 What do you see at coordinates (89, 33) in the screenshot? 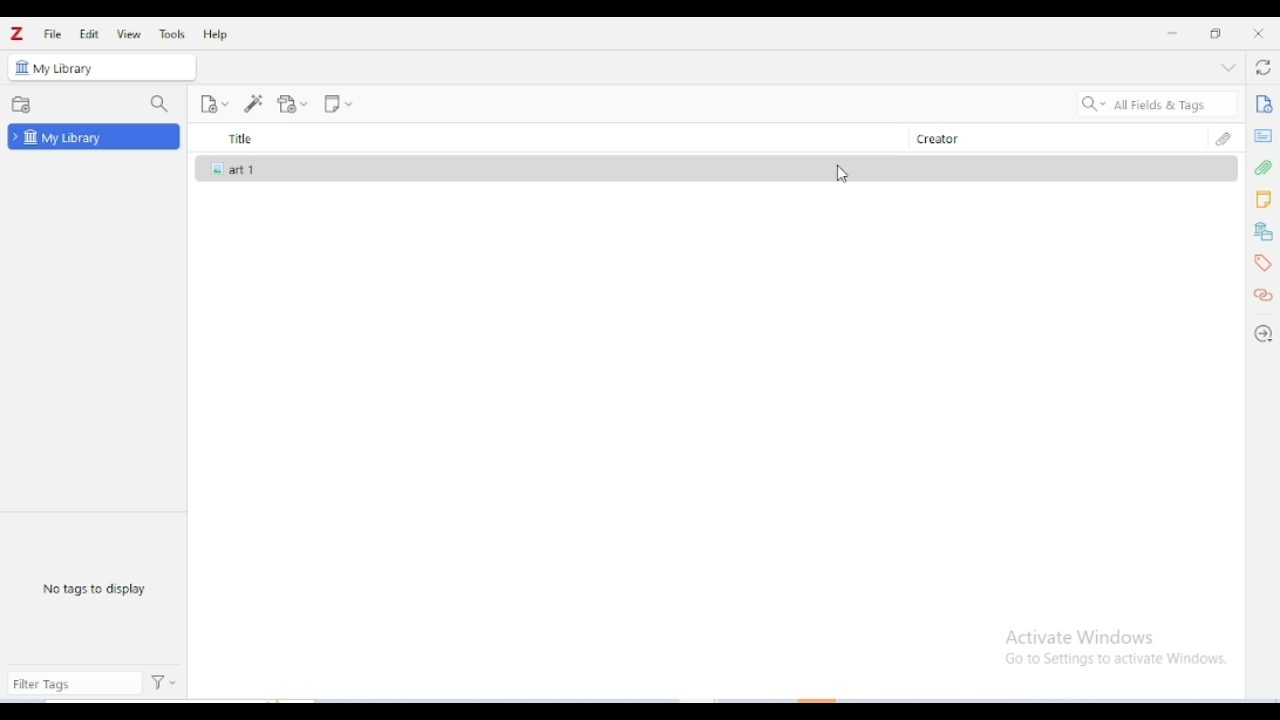
I see `edit` at bounding box center [89, 33].